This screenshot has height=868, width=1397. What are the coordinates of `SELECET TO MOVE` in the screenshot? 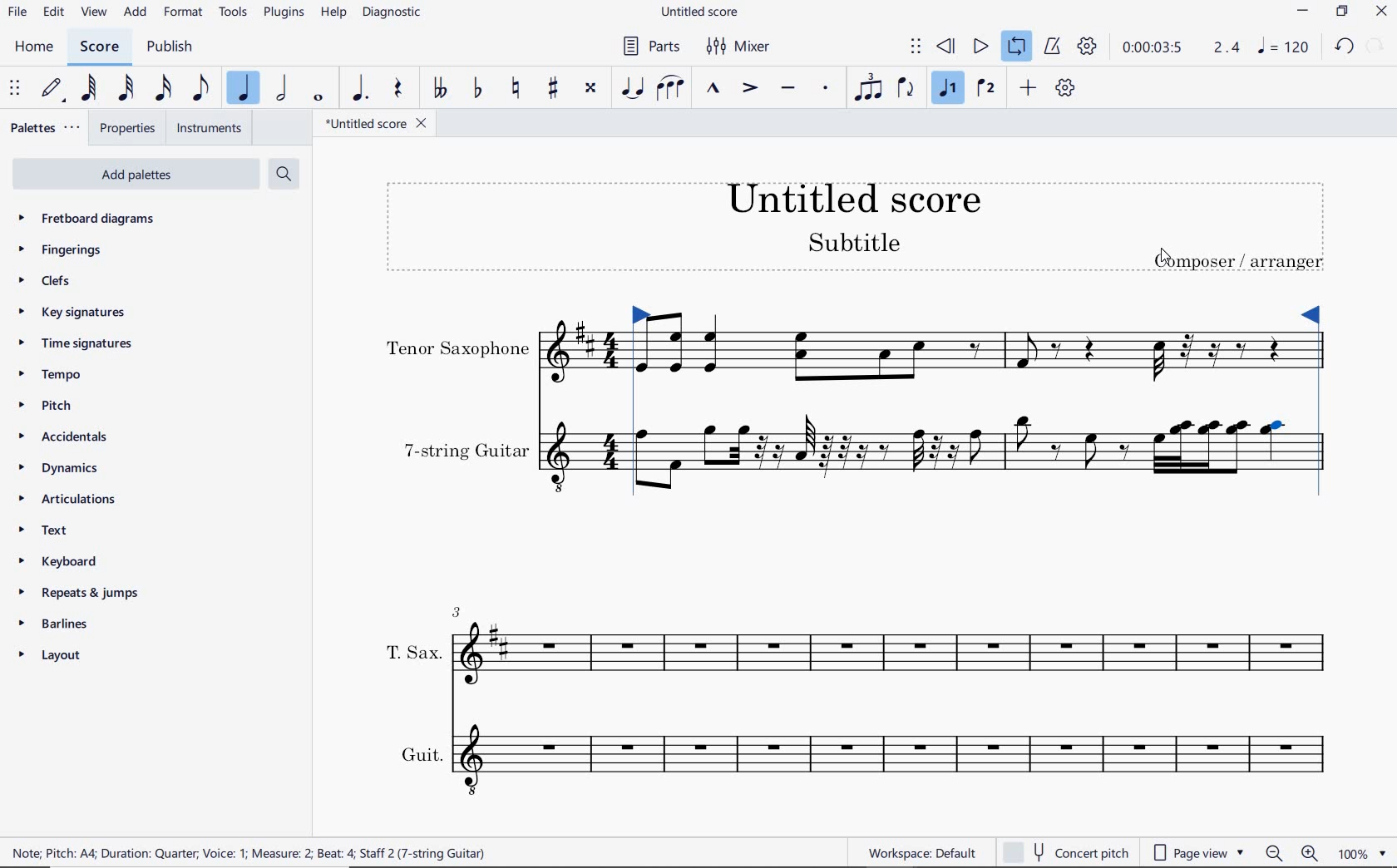 It's located at (14, 89).